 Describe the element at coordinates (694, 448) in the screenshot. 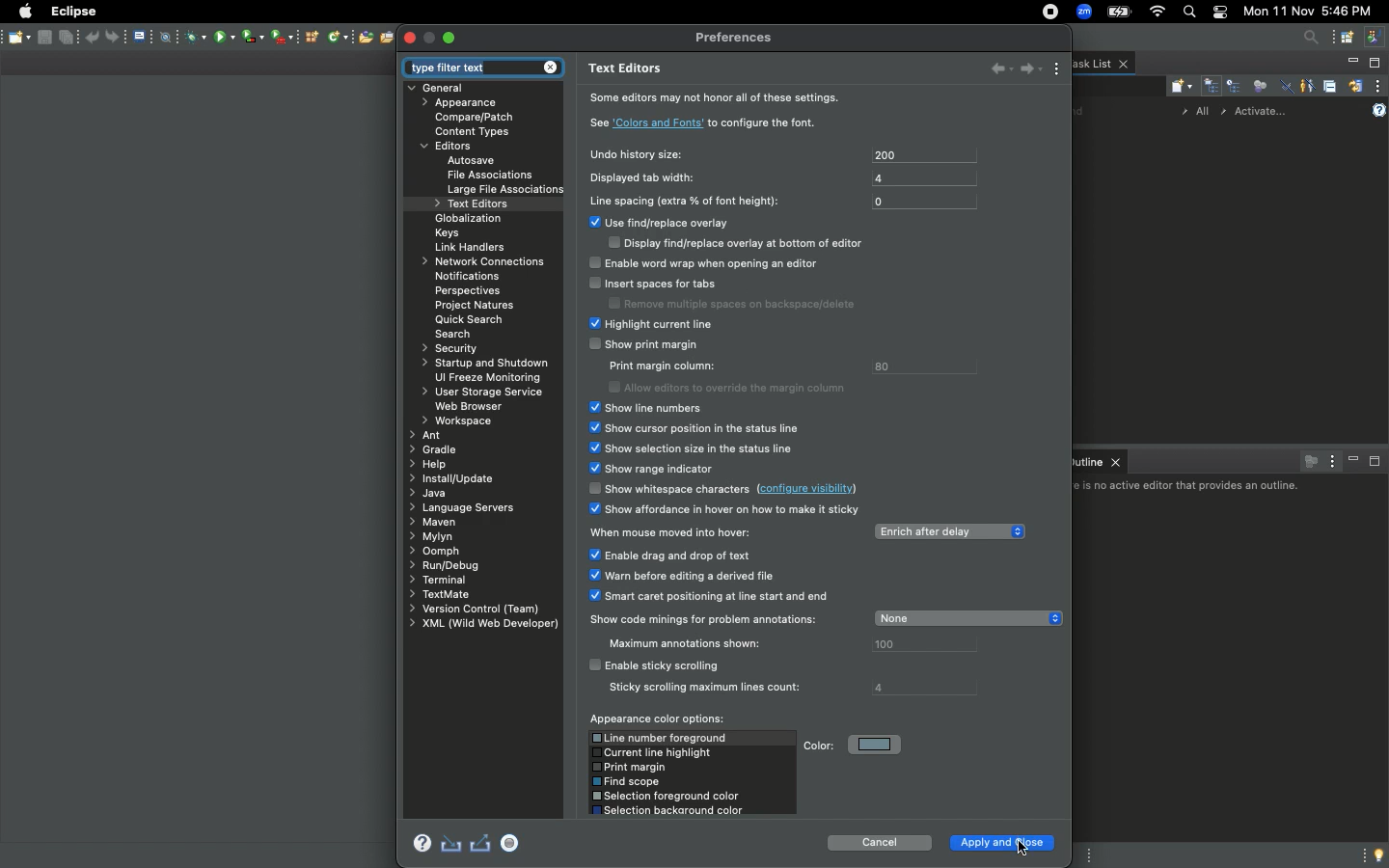

I see `Show selection size in the status line` at that location.